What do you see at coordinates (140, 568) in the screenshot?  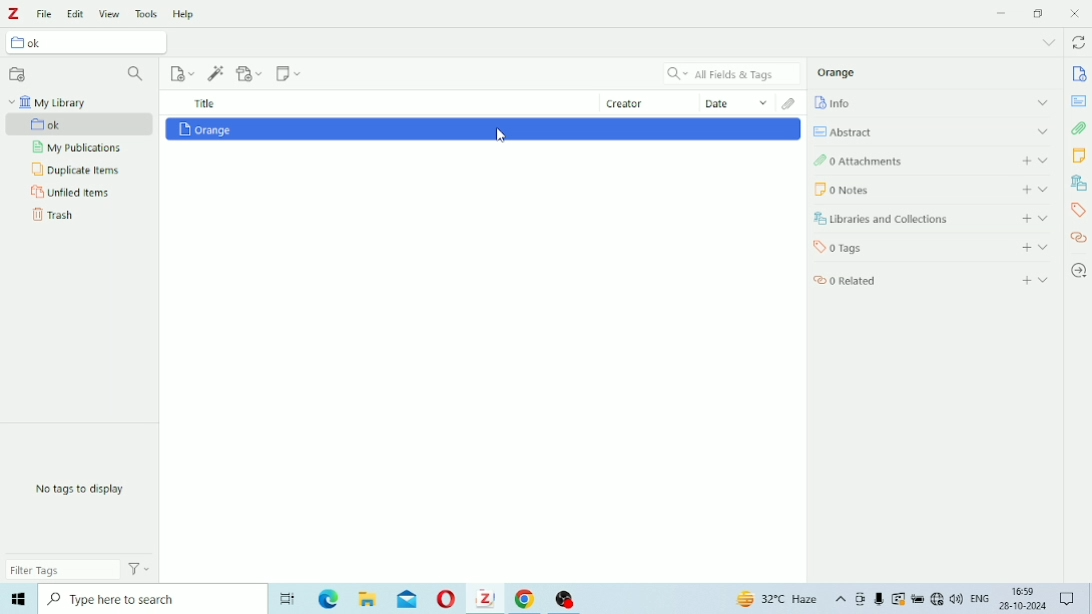 I see `Actions` at bounding box center [140, 568].